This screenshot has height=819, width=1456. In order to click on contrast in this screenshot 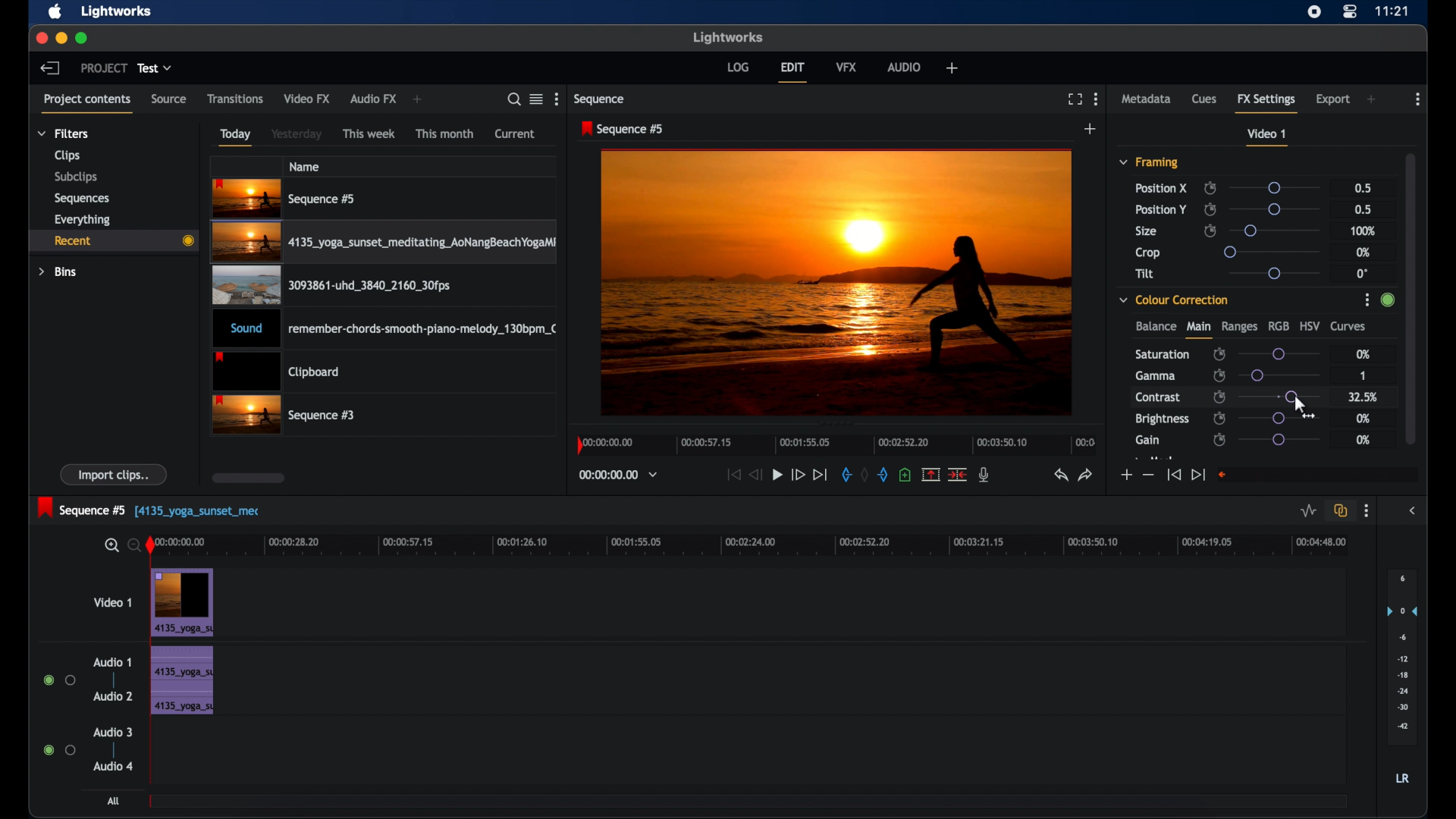, I will do `click(1157, 398)`.